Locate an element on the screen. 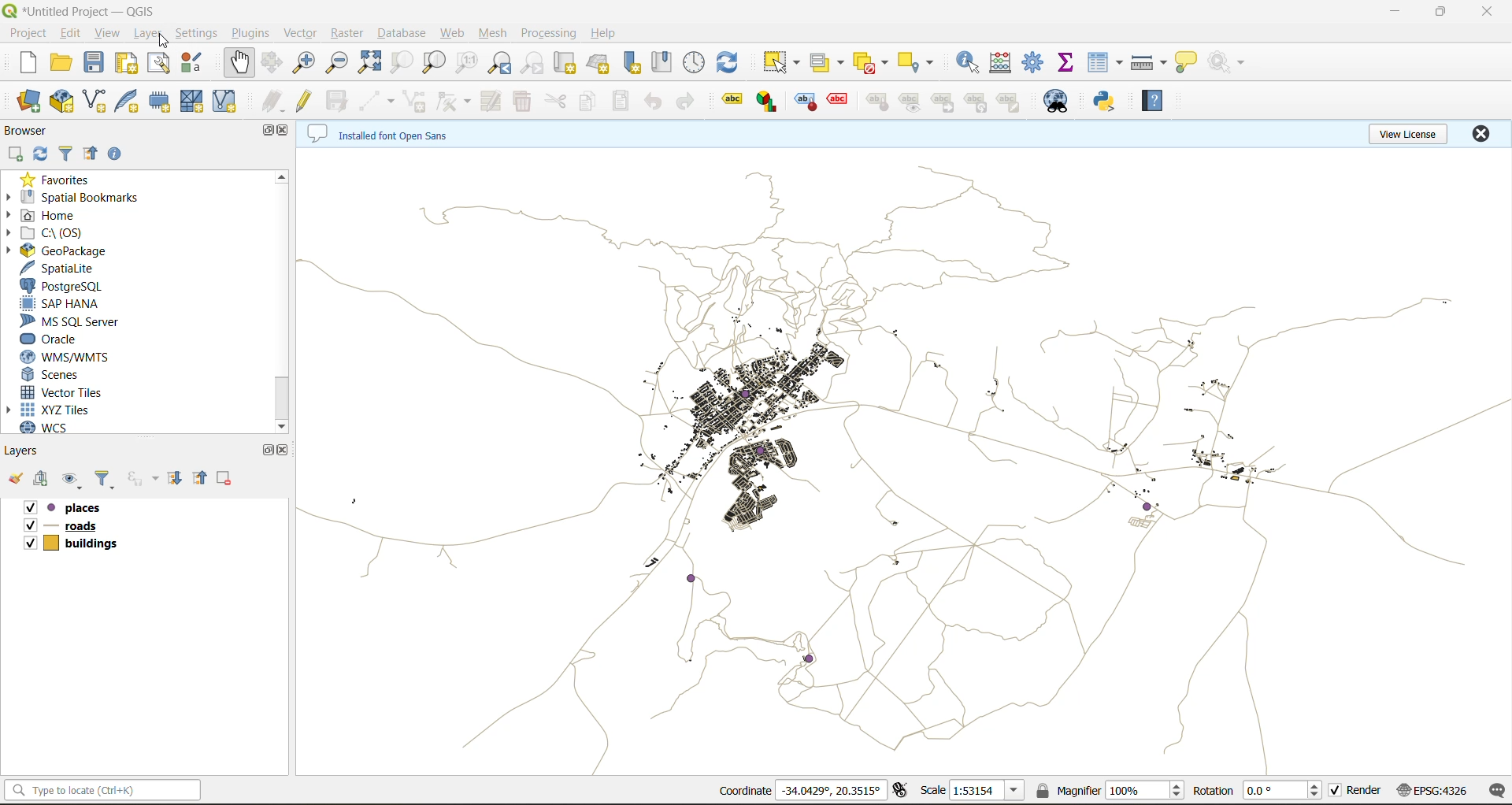 The height and width of the screenshot is (805, 1512). select value is located at coordinates (830, 64).